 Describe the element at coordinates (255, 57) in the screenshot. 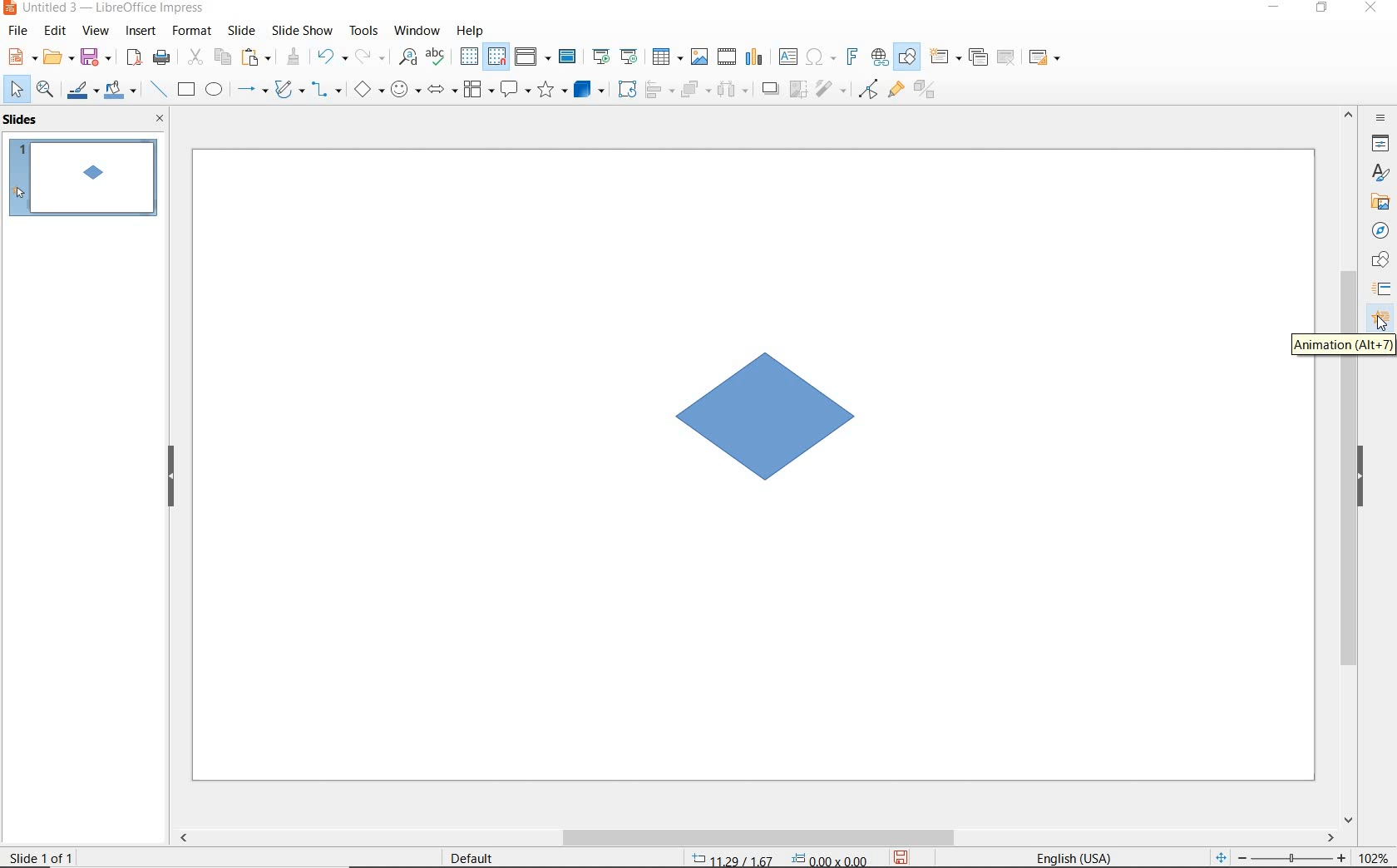

I see `paste` at that location.